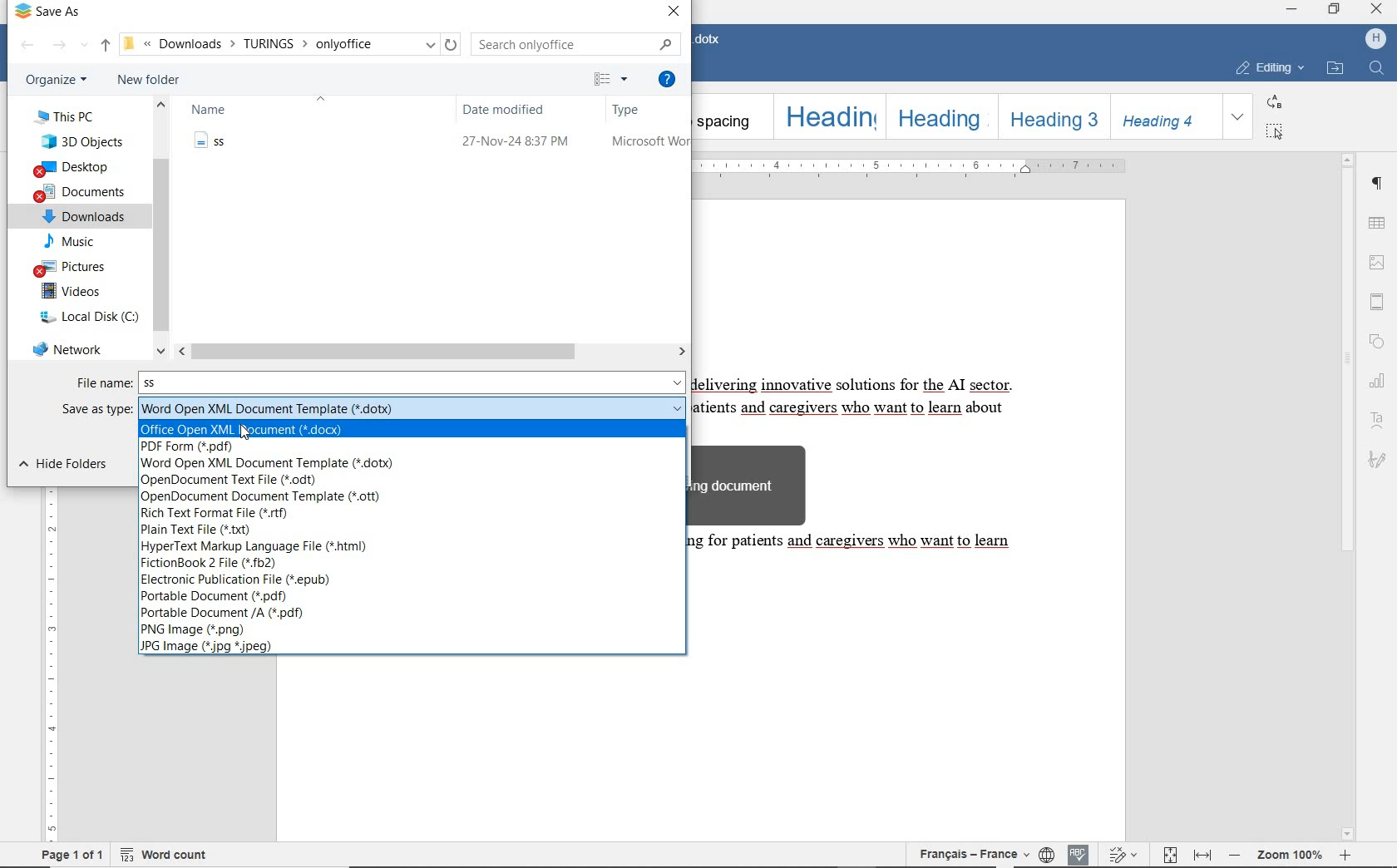 The height and width of the screenshot is (868, 1397). What do you see at coordinates (684, 455) in the screenshot?
I see `Vertical scrollbar` at bounding box center [684, 455].